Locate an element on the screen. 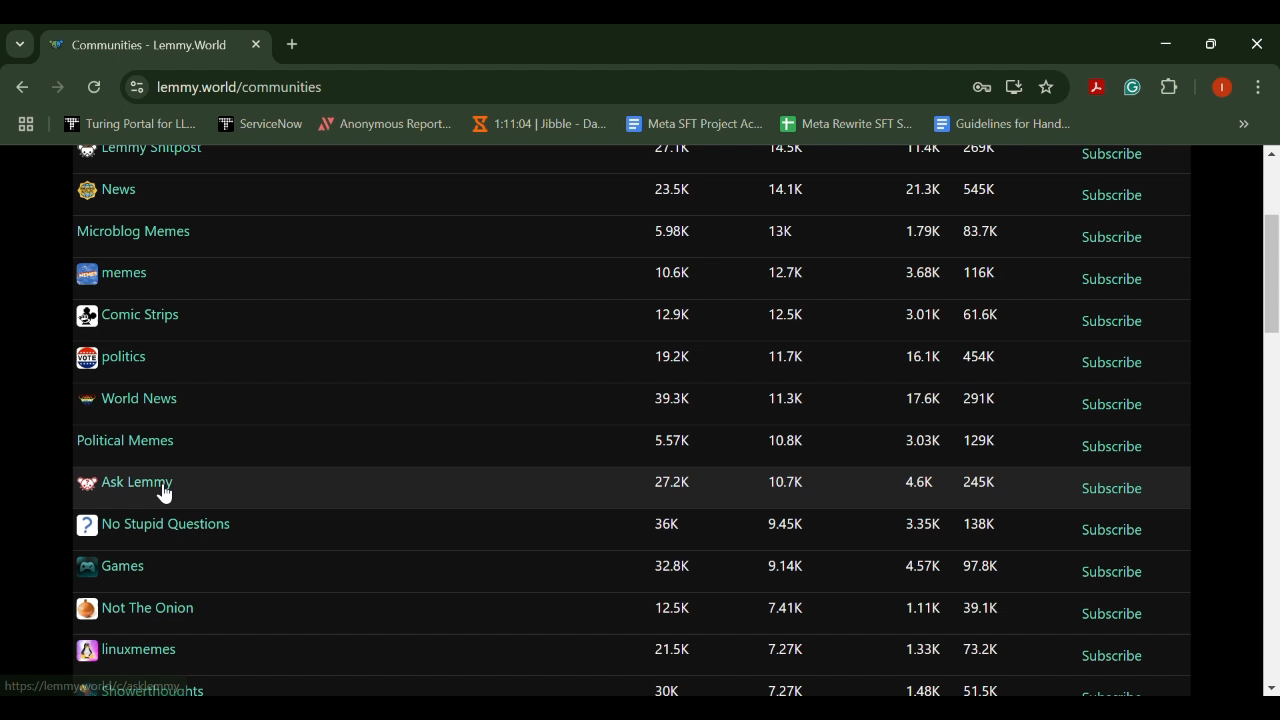  Grammarly Extension is located at coordinates (1130, 88).